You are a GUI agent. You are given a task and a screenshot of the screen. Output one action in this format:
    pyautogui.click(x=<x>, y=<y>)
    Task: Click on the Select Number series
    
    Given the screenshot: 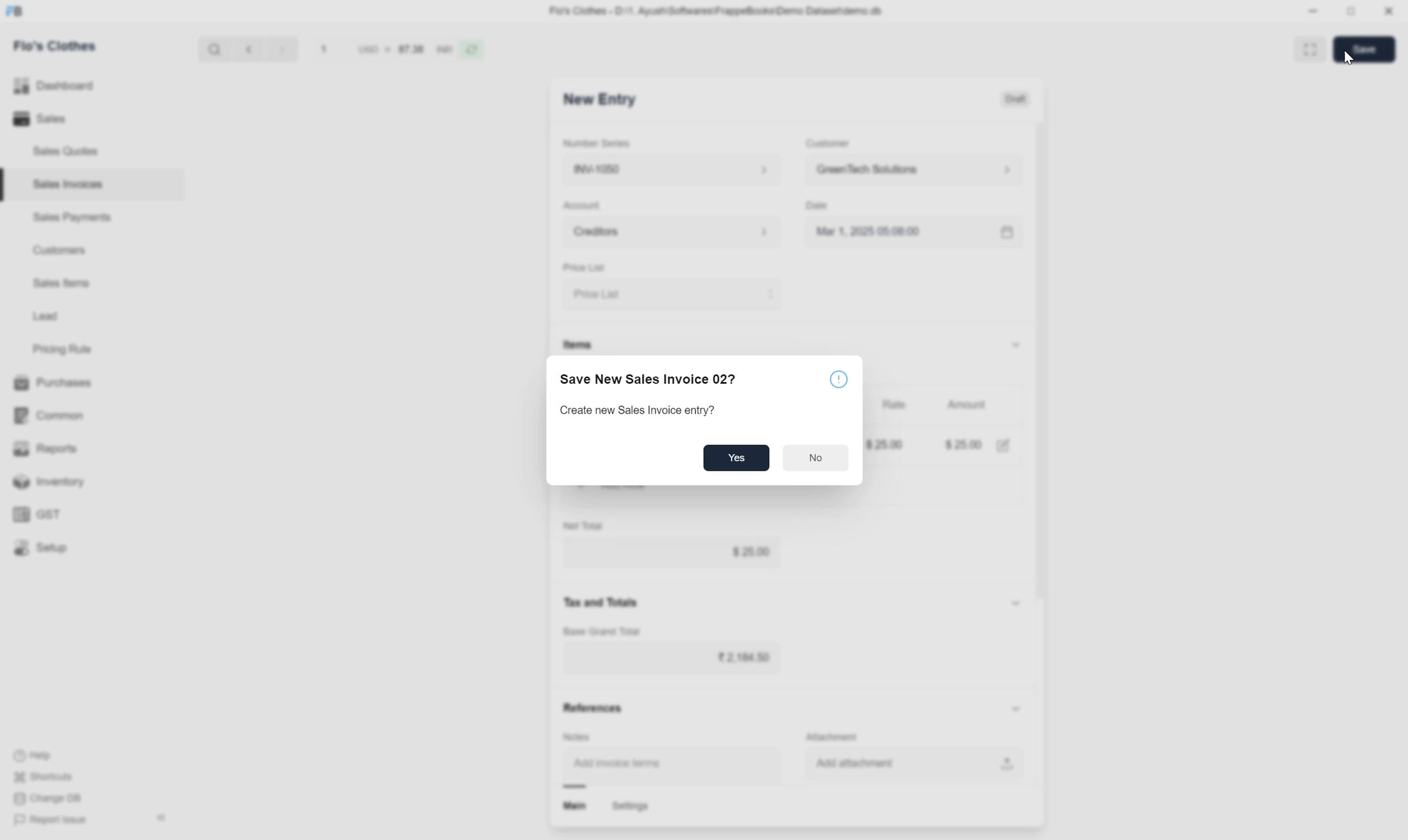 What is the action you would take?
    pyautogui.click(x=669, y=169)
    